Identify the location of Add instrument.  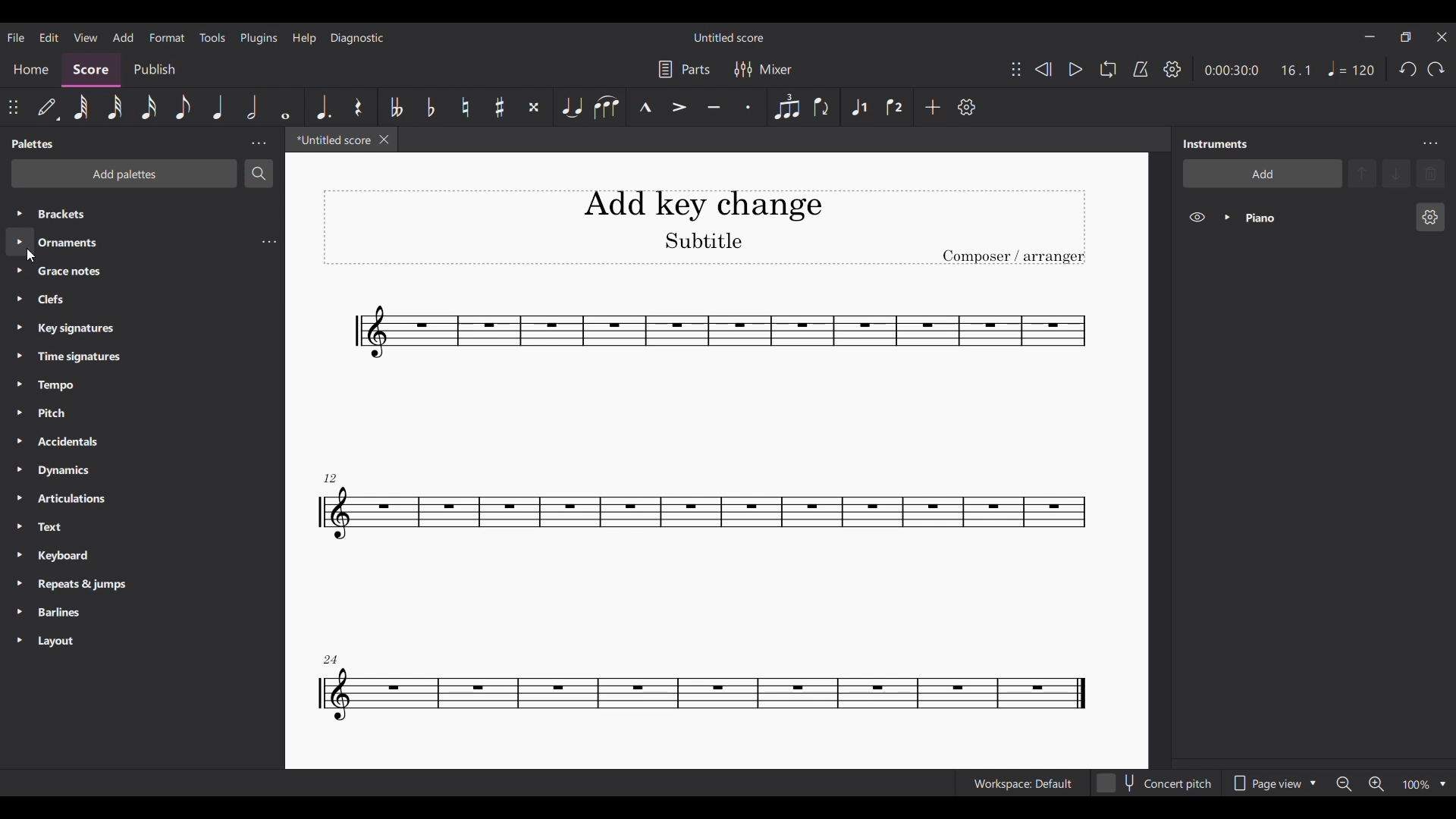
(1263, 174).